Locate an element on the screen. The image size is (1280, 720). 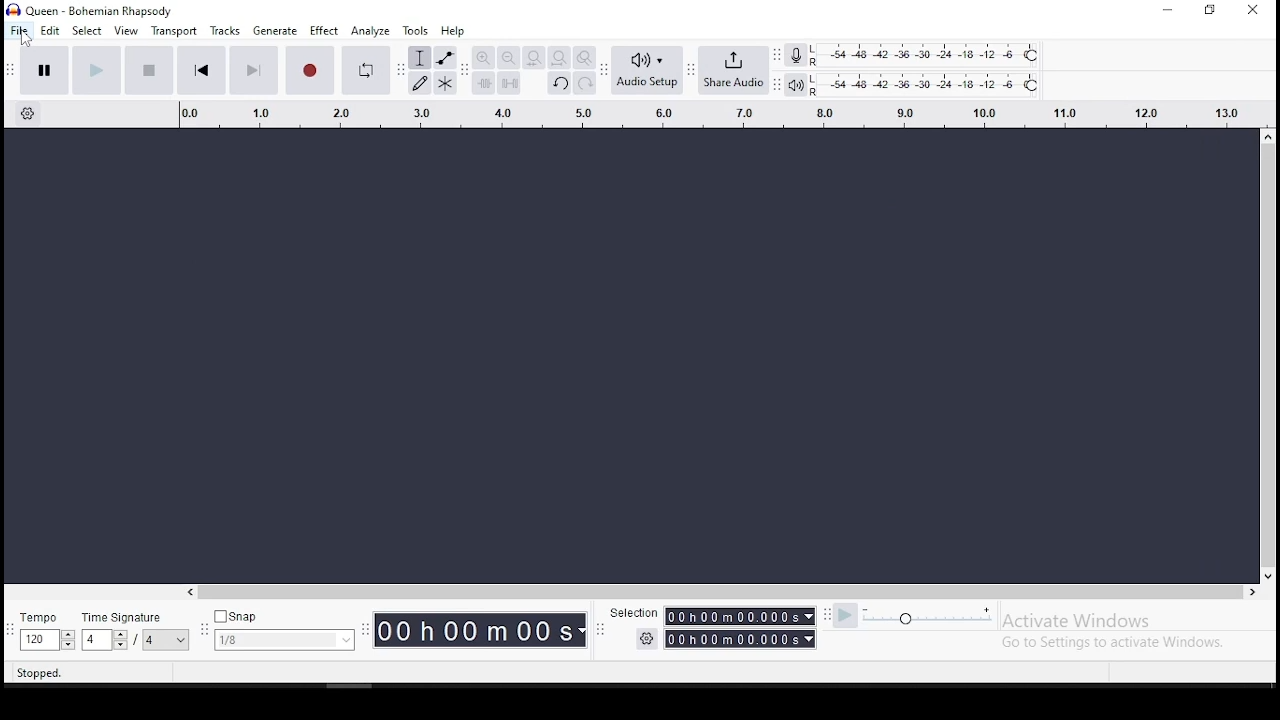
tempo is located at coordinates (47, 632).